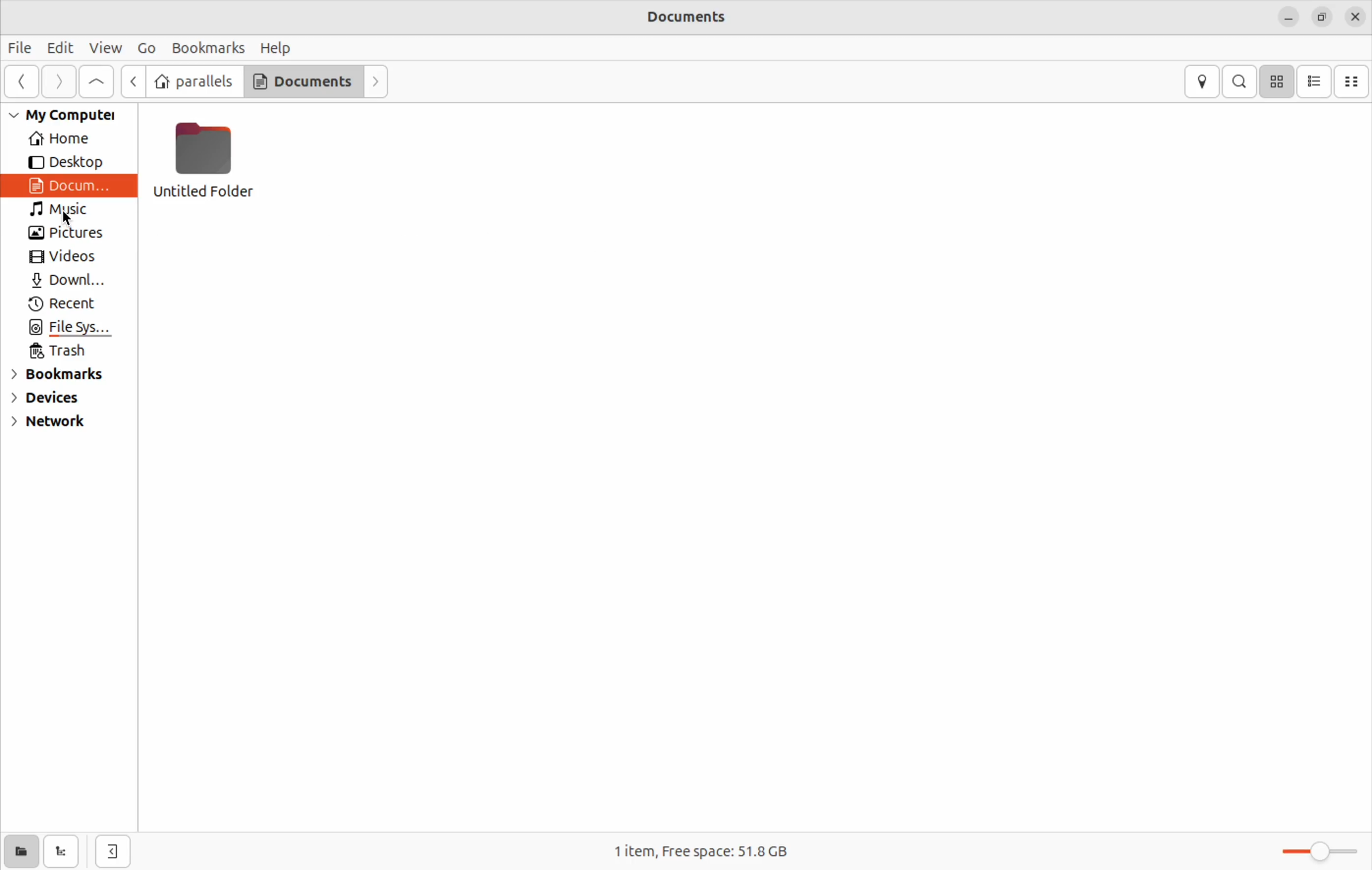 Image resolution: width=1372 pixels, height=870 pixels. Describe the element at coordinates (64, 258) in the screenshot. I see `Videos` at that location.